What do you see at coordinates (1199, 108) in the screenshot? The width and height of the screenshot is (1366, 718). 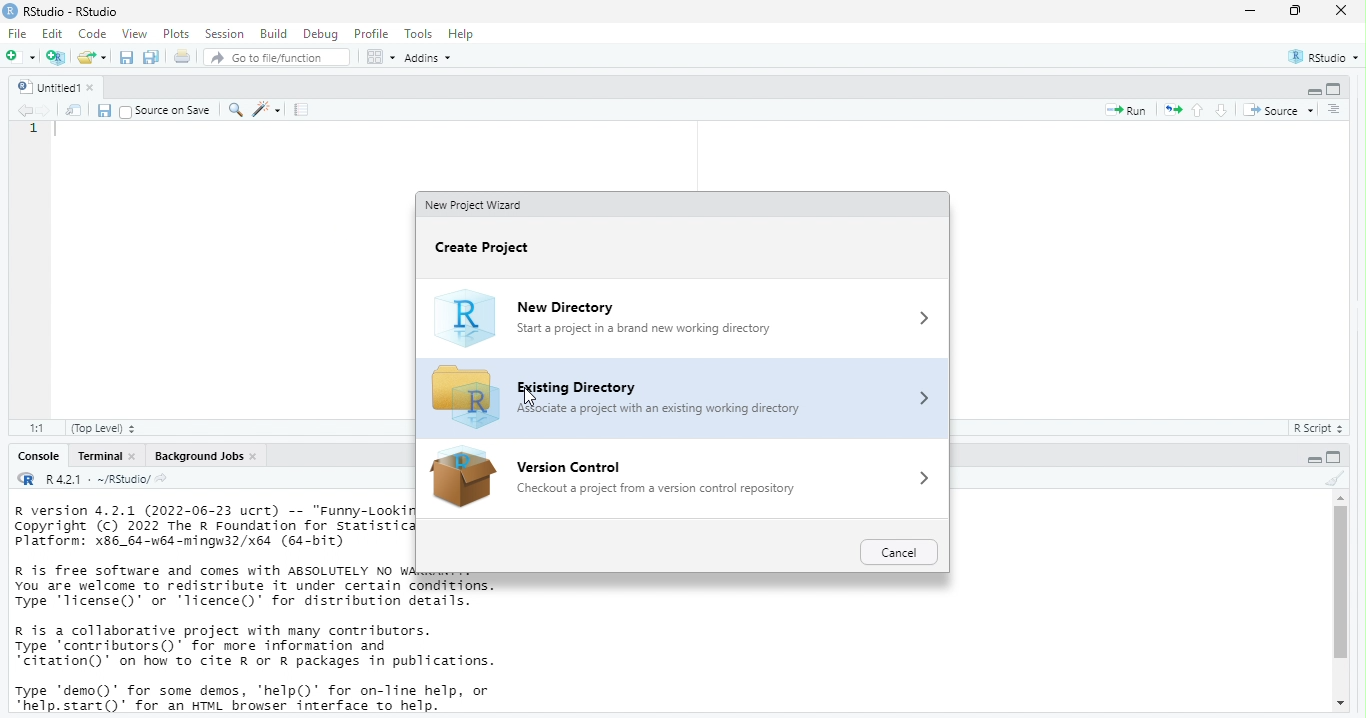 I see `go to previous section/chunk` at bounding box center [1199, 108].